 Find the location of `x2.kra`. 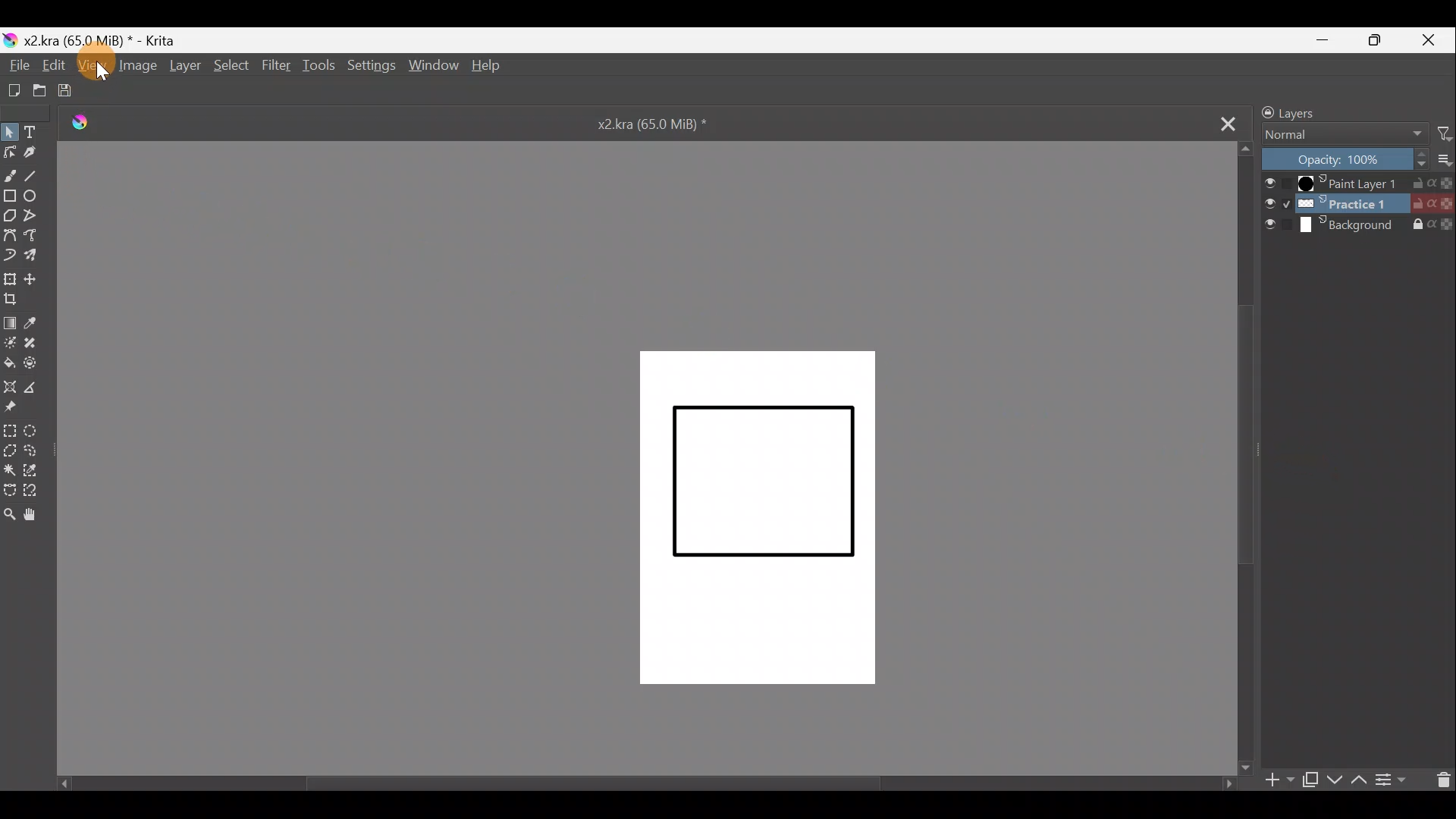

x2.kra is located at coordinates (639, 123).